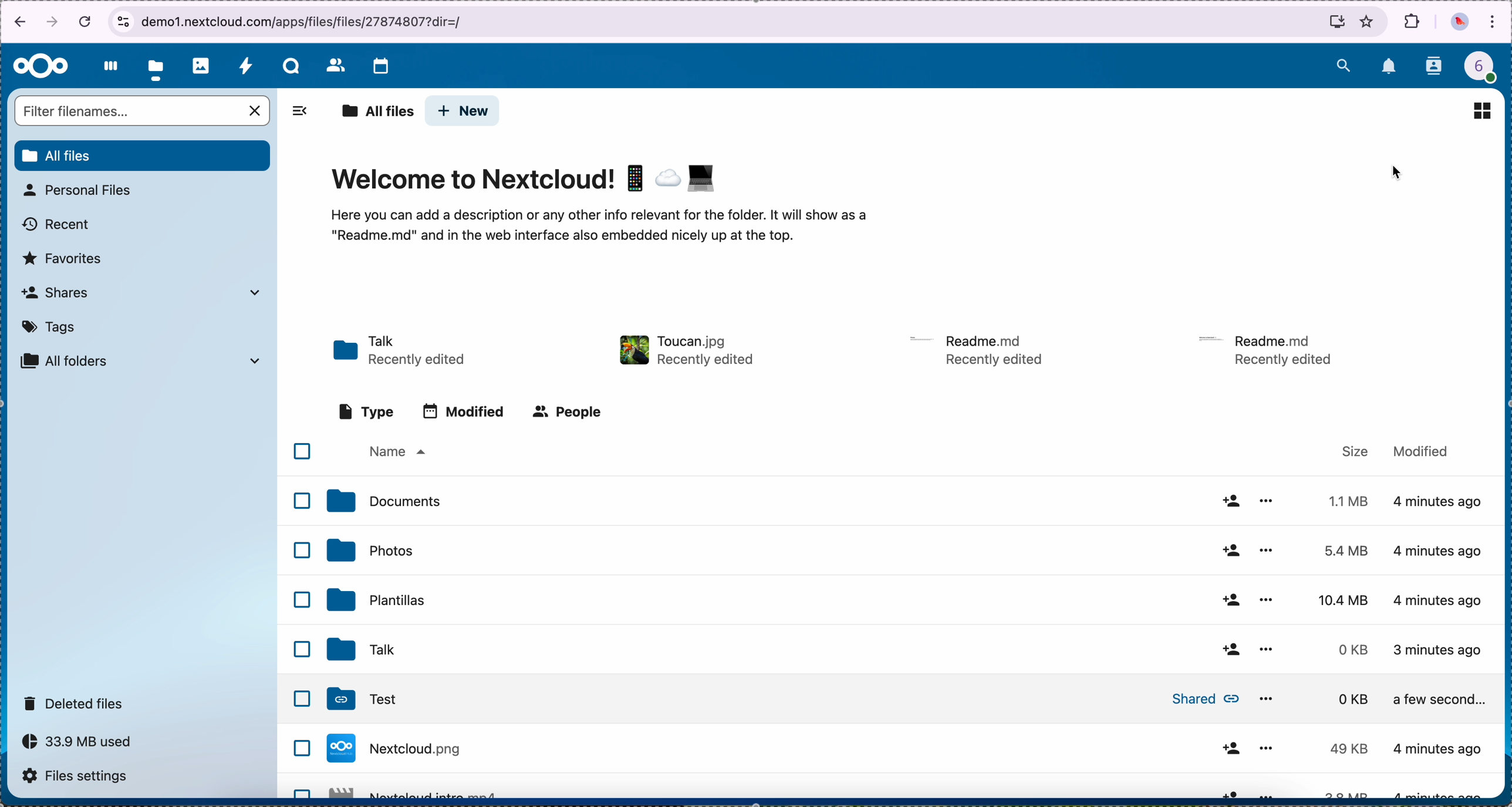  What do you see at coordinates (50, 327) in the screenshot?
I see `tags` at bounding box center [50, 327].